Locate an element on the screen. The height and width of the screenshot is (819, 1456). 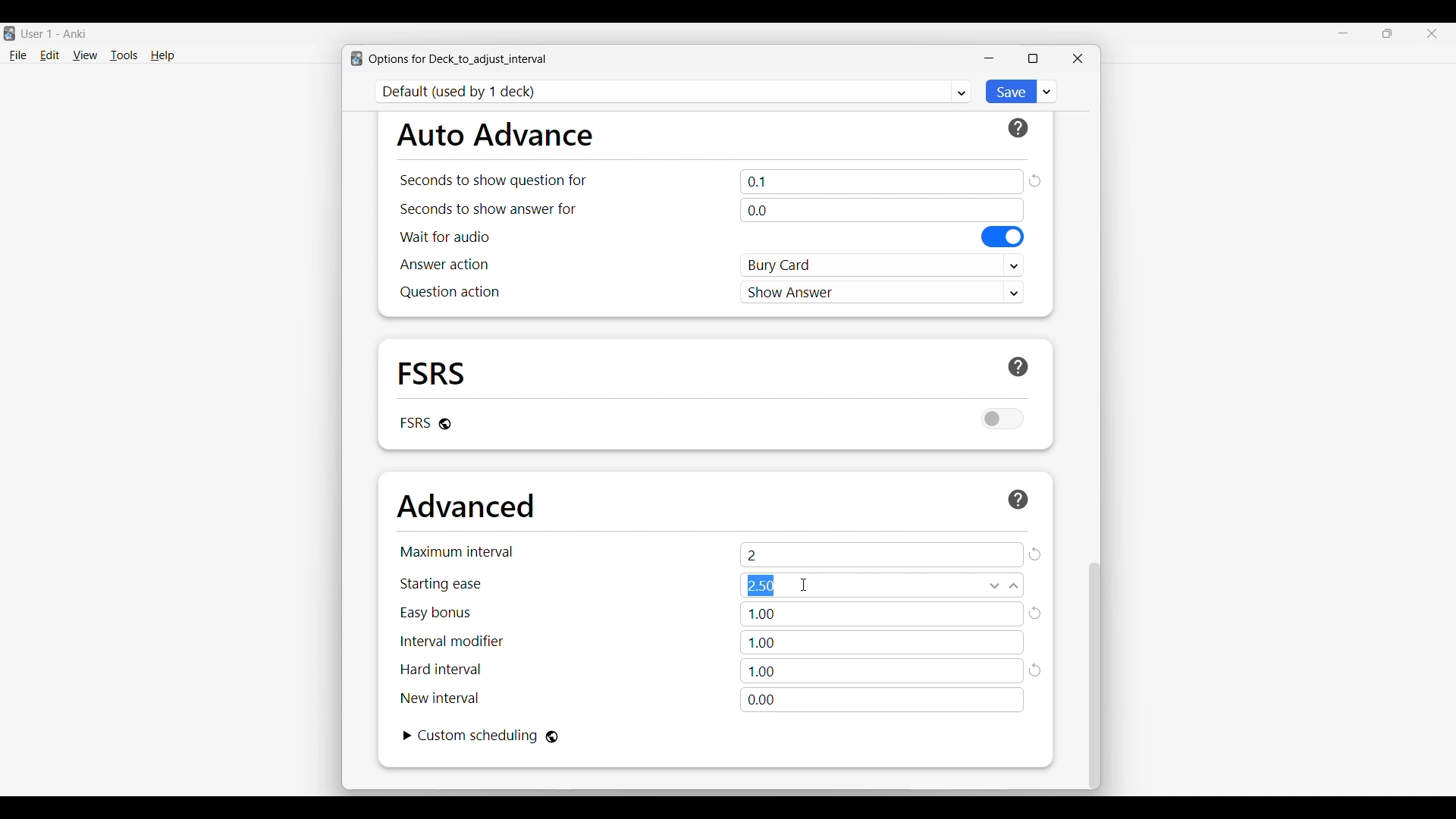
cursor is located at coordinates (805, 585).